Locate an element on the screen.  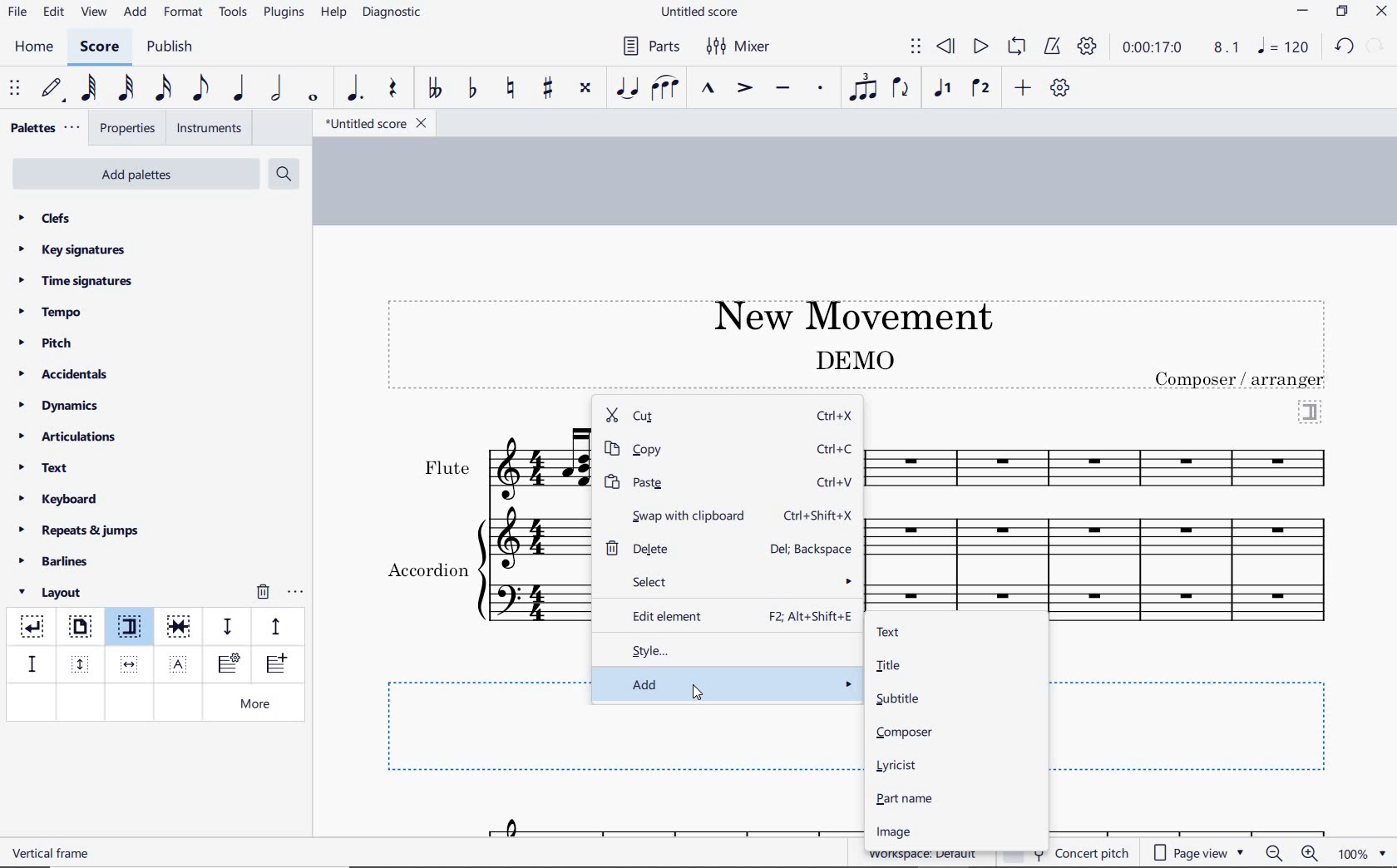
Mixer is located at coordinates (739, 47).